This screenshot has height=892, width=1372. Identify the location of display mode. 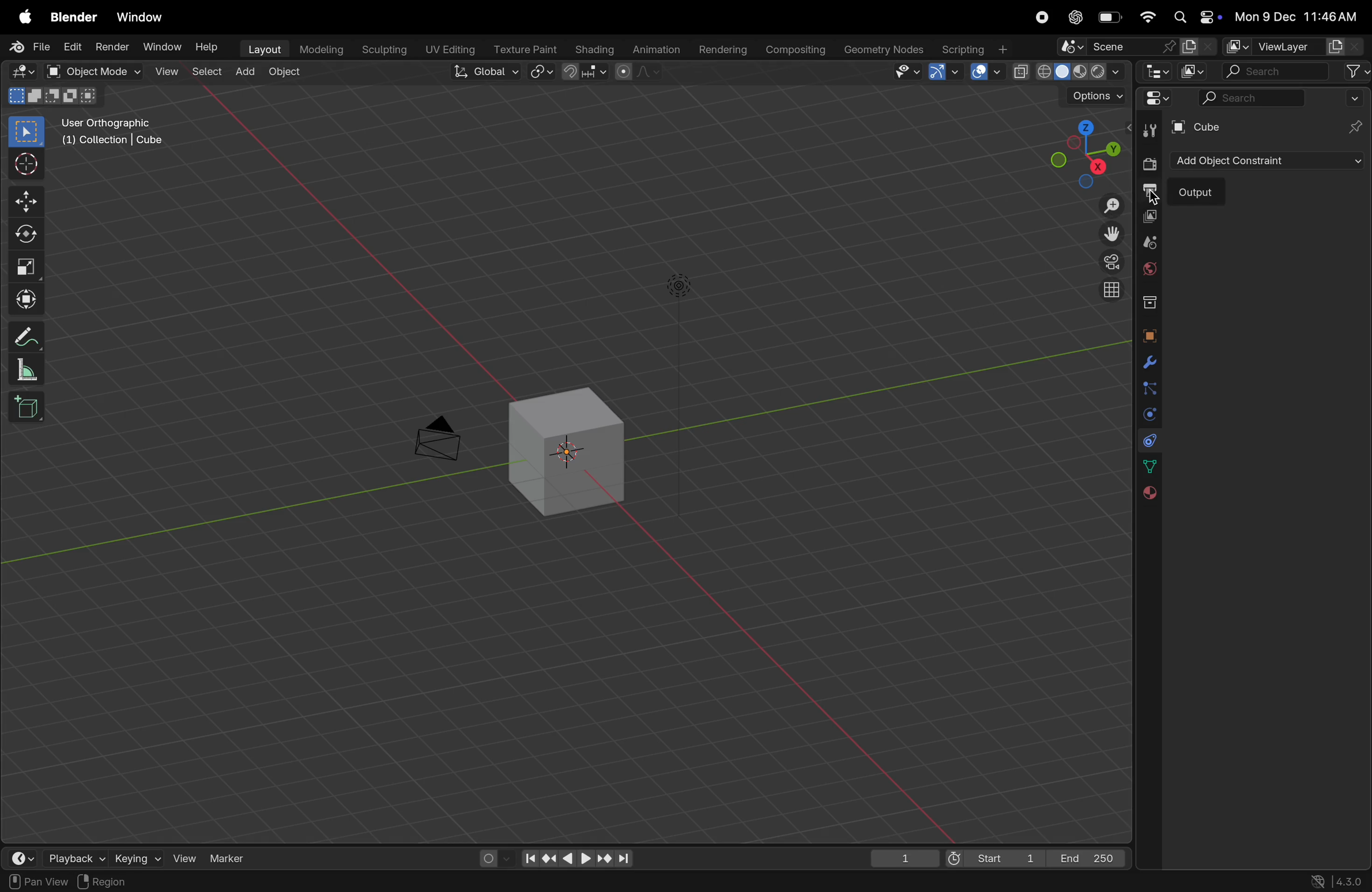
(1198, 71).